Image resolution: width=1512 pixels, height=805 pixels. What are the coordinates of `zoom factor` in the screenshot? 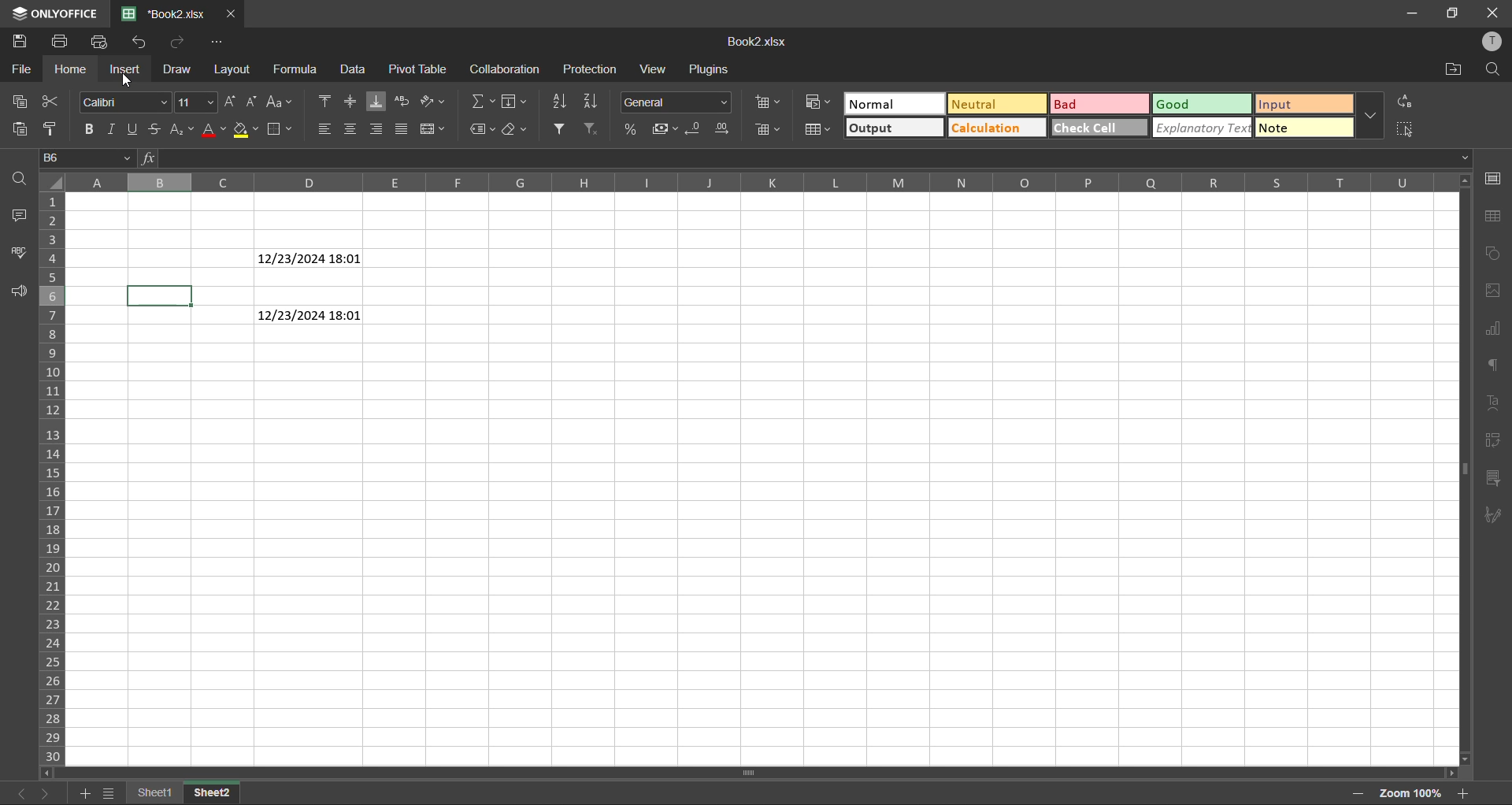 It's located at (1412, 792).